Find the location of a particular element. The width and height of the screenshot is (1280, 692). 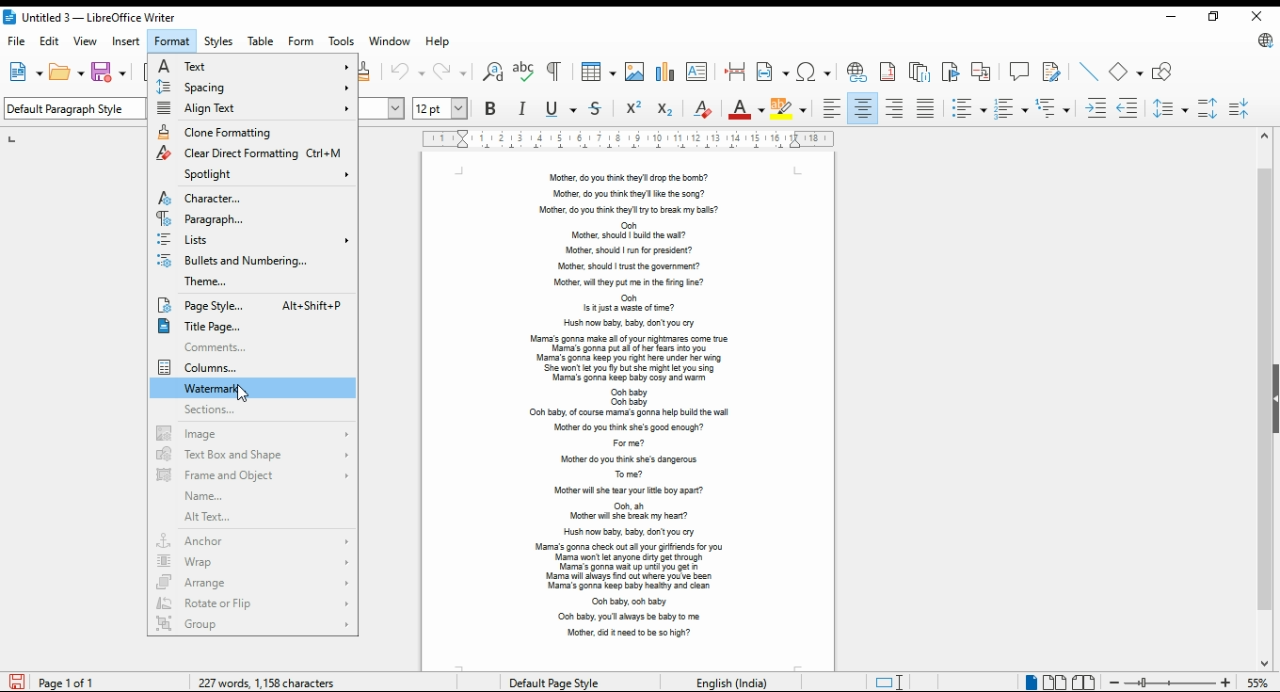

strikethrough is located at coordinates (596, 107).